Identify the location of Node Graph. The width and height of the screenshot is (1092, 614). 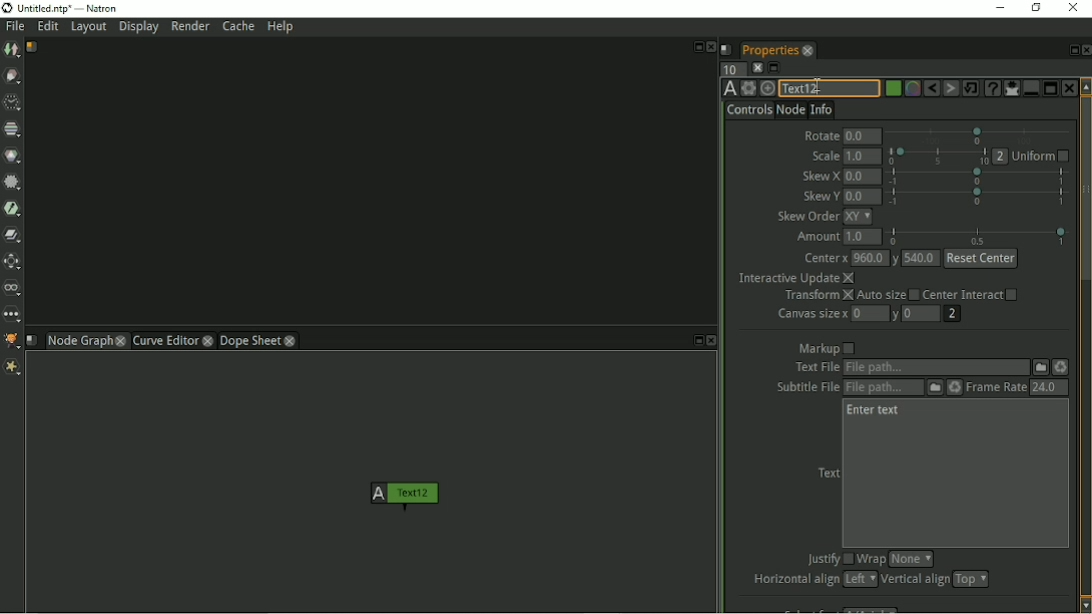
(78, 342).